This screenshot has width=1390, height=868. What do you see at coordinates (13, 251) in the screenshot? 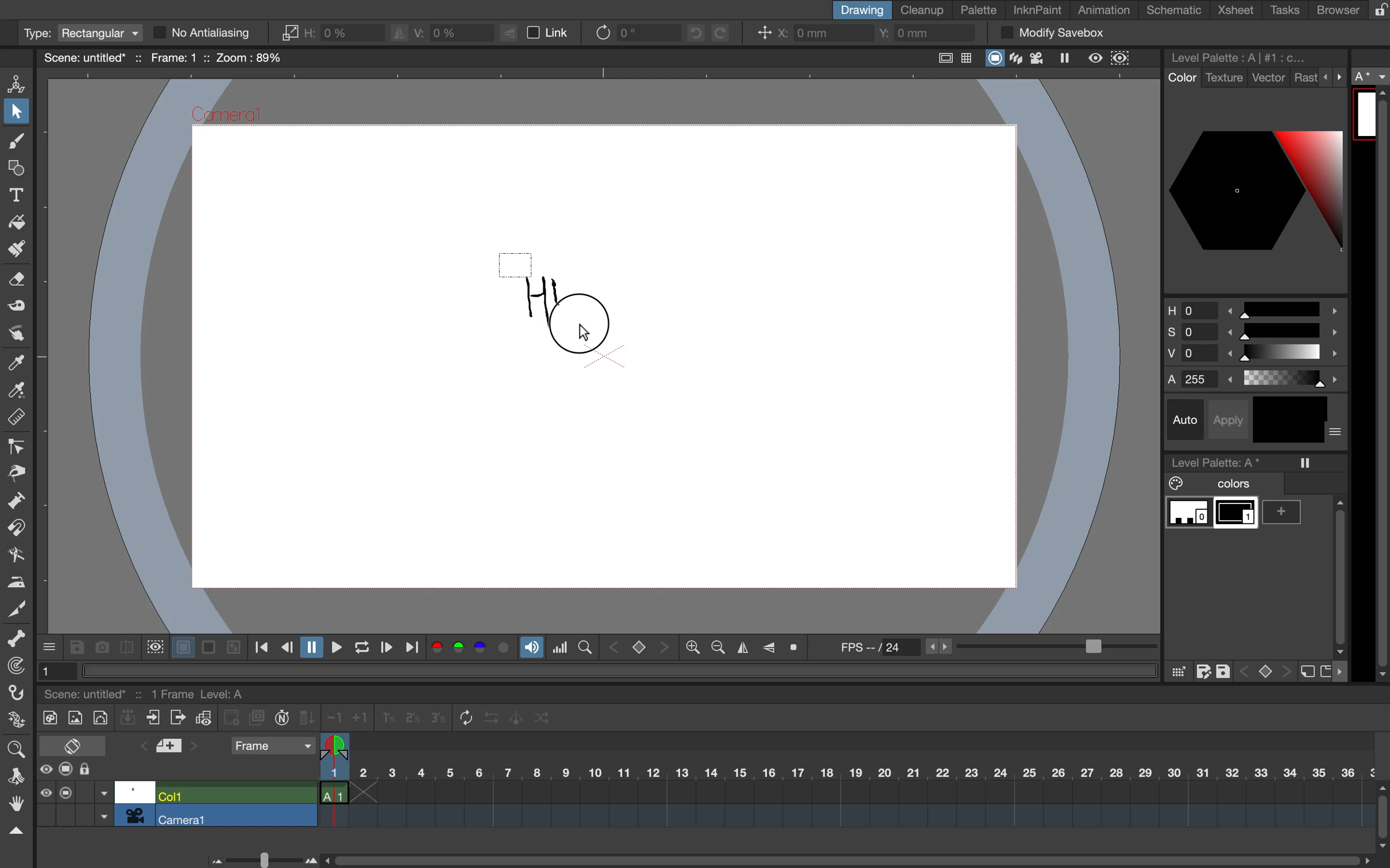
I see `paint brush tool` at bounding box center [13, 251].